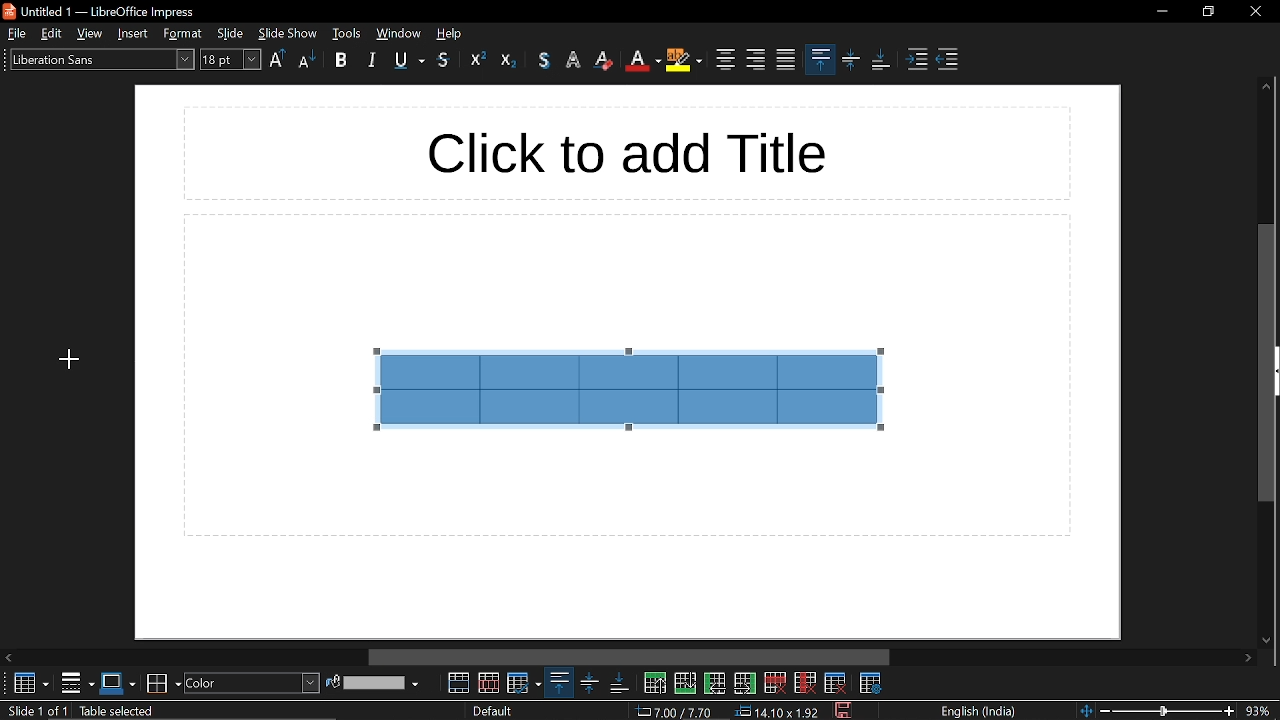  Describe the element at coordinates (525, 682) in the screenshot. I see `optimize` at that location.